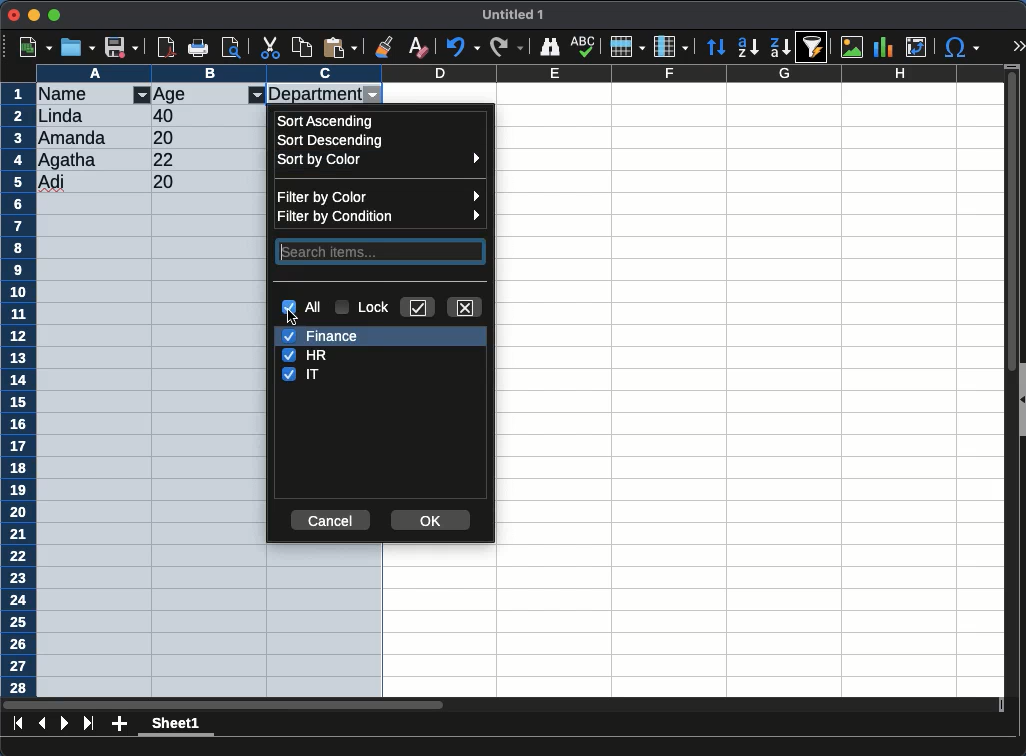 Image resolution: width=1026 pixels, height=756 pixels. I want to click on rows, so click(626, 47).